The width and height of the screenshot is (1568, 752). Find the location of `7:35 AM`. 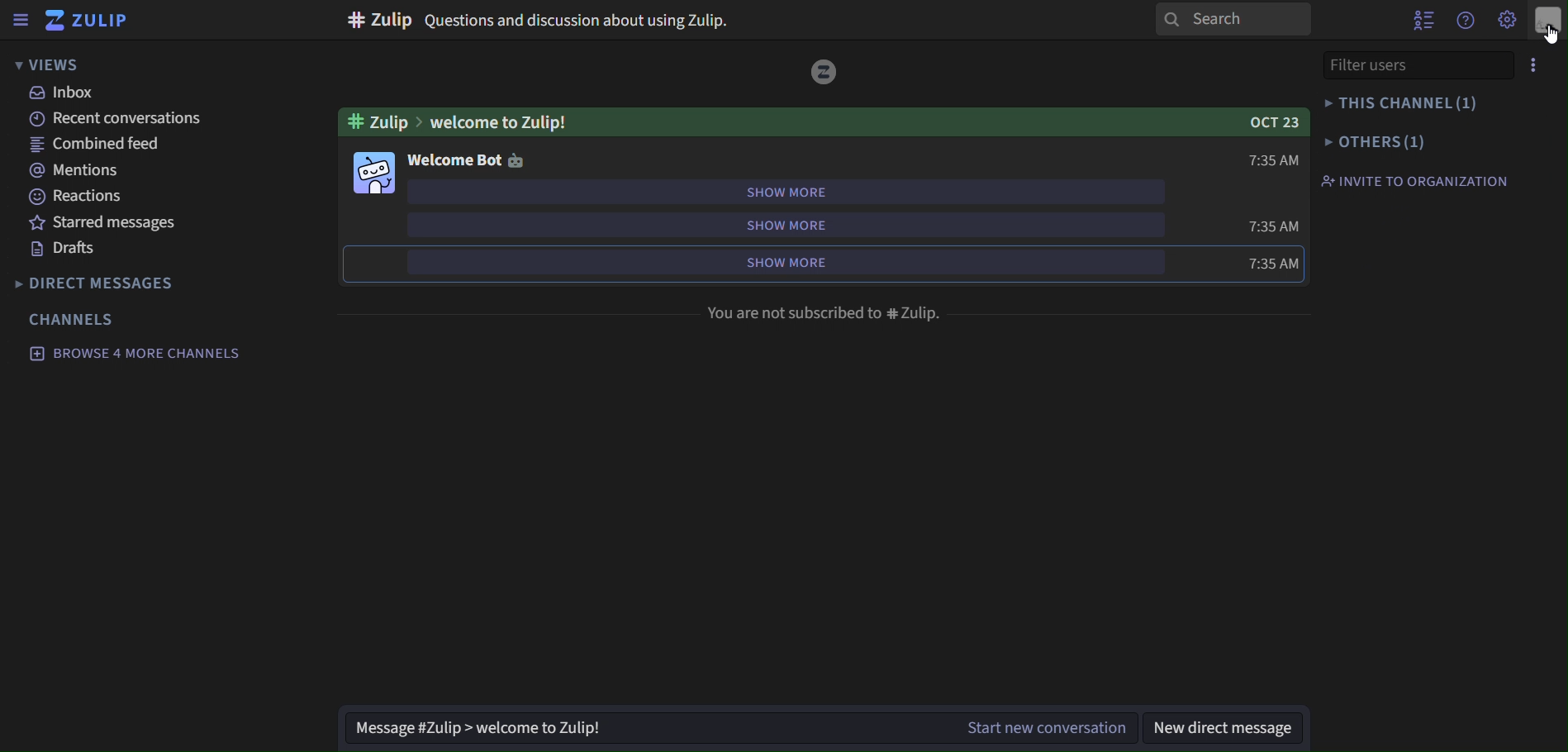

7:35 AM is located at coordinates (1276, 160).